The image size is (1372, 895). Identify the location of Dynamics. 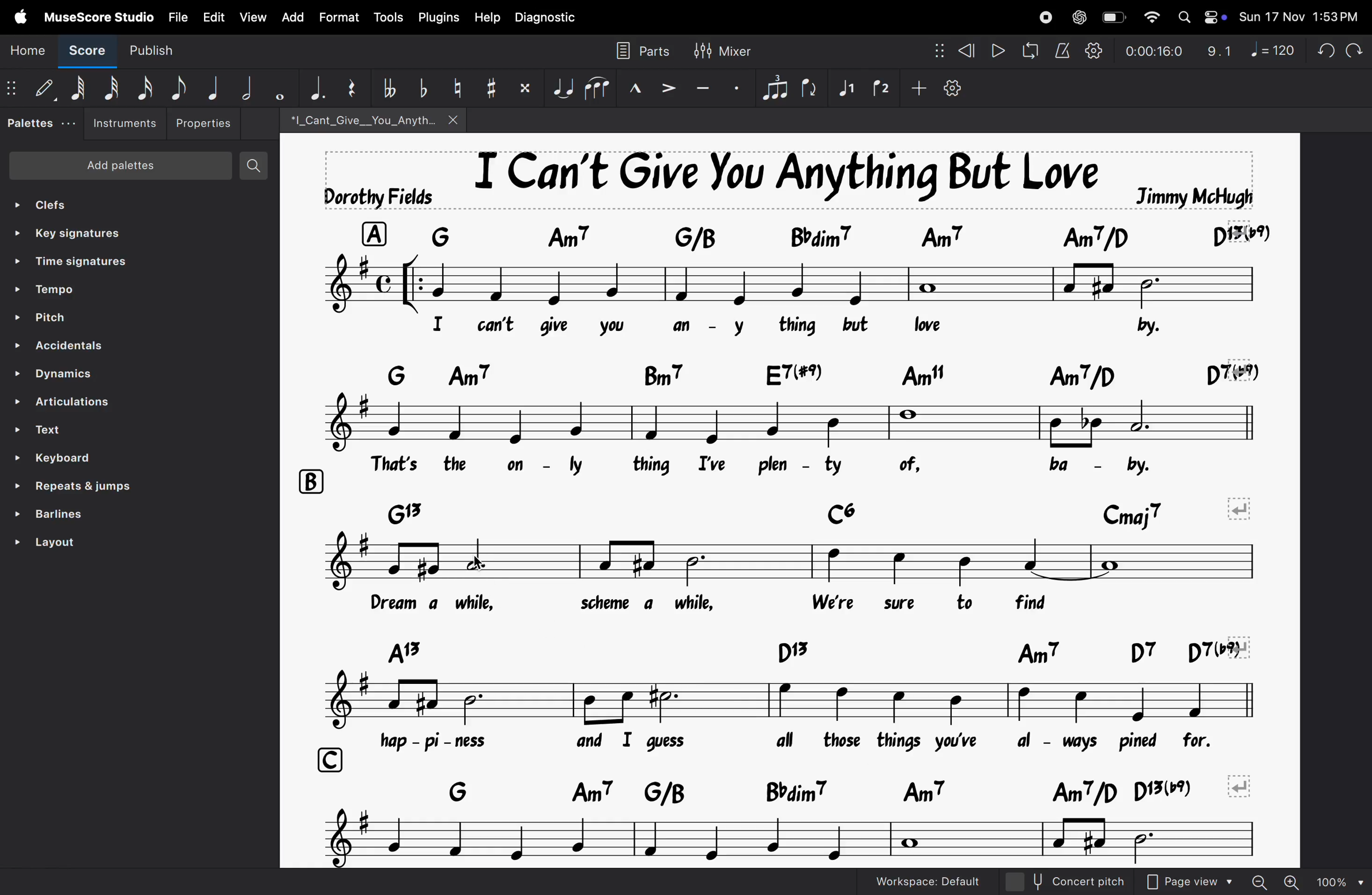
(61, 373).